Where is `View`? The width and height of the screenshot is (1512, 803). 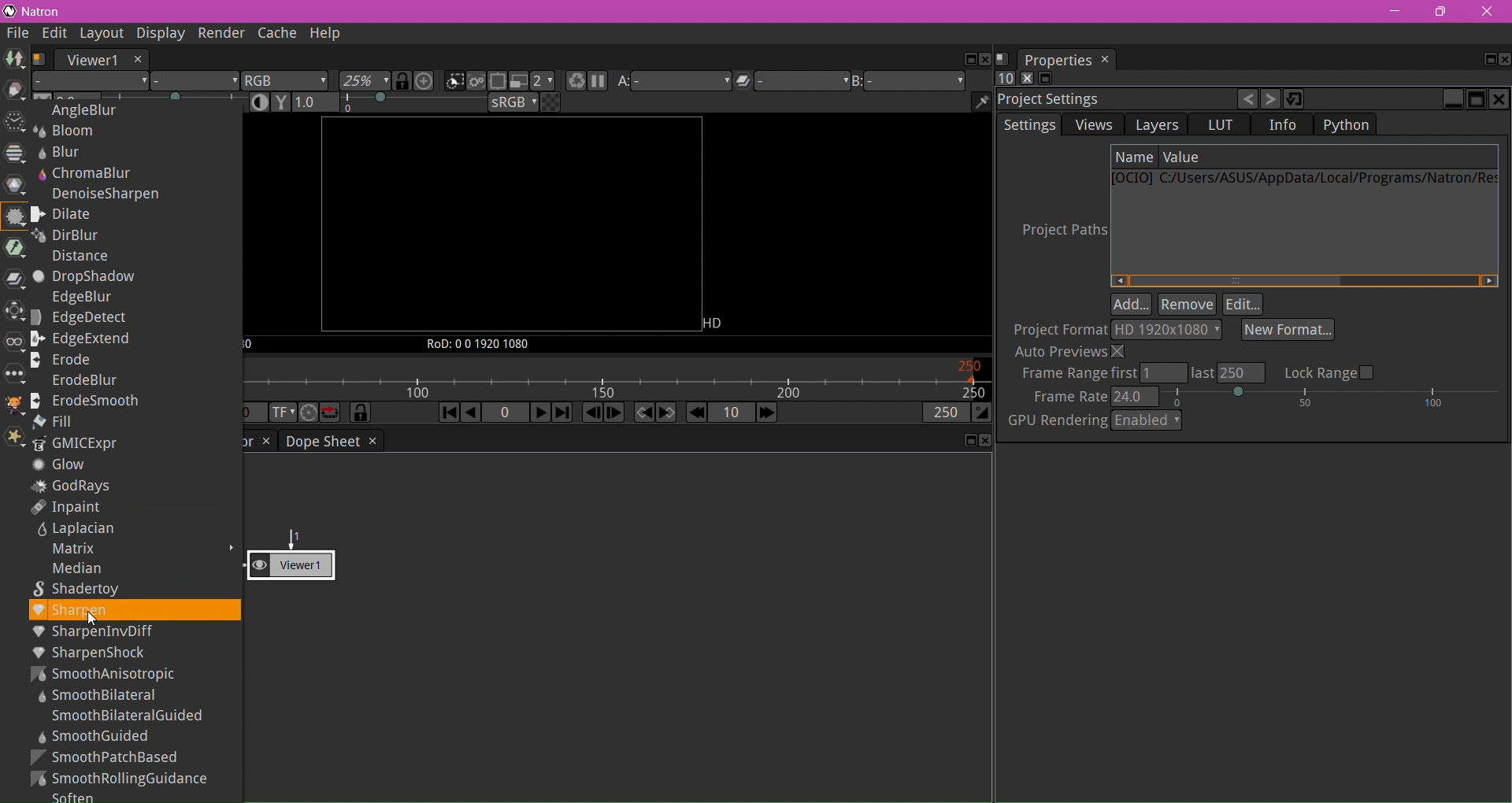
View is located at coordinates (13, 346).